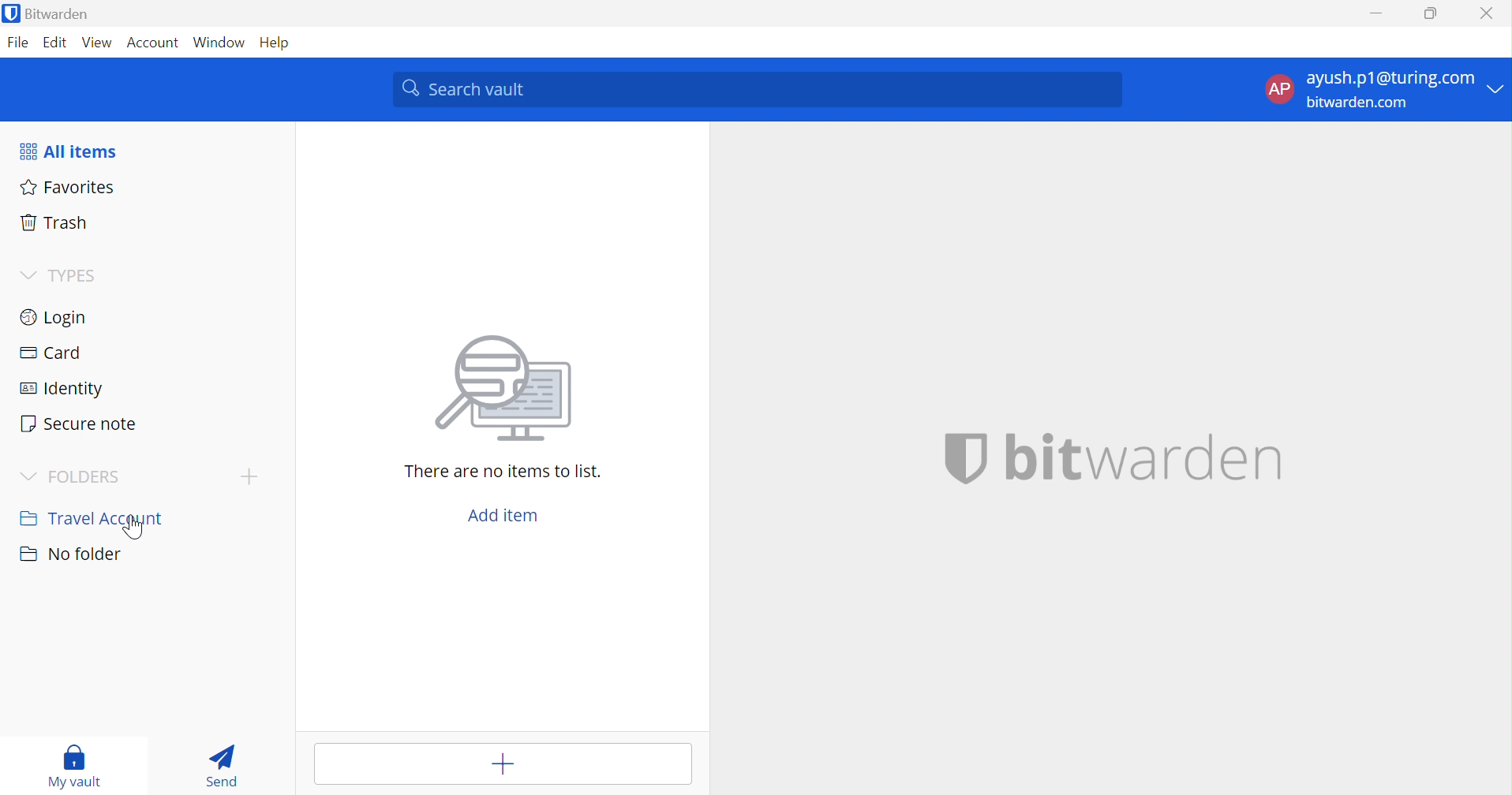 This screenshot has height=795, width=1512. What do you see at coordinates (501, 763) in the screenshot?
I see `Add item` at bounding box center [501, 763].